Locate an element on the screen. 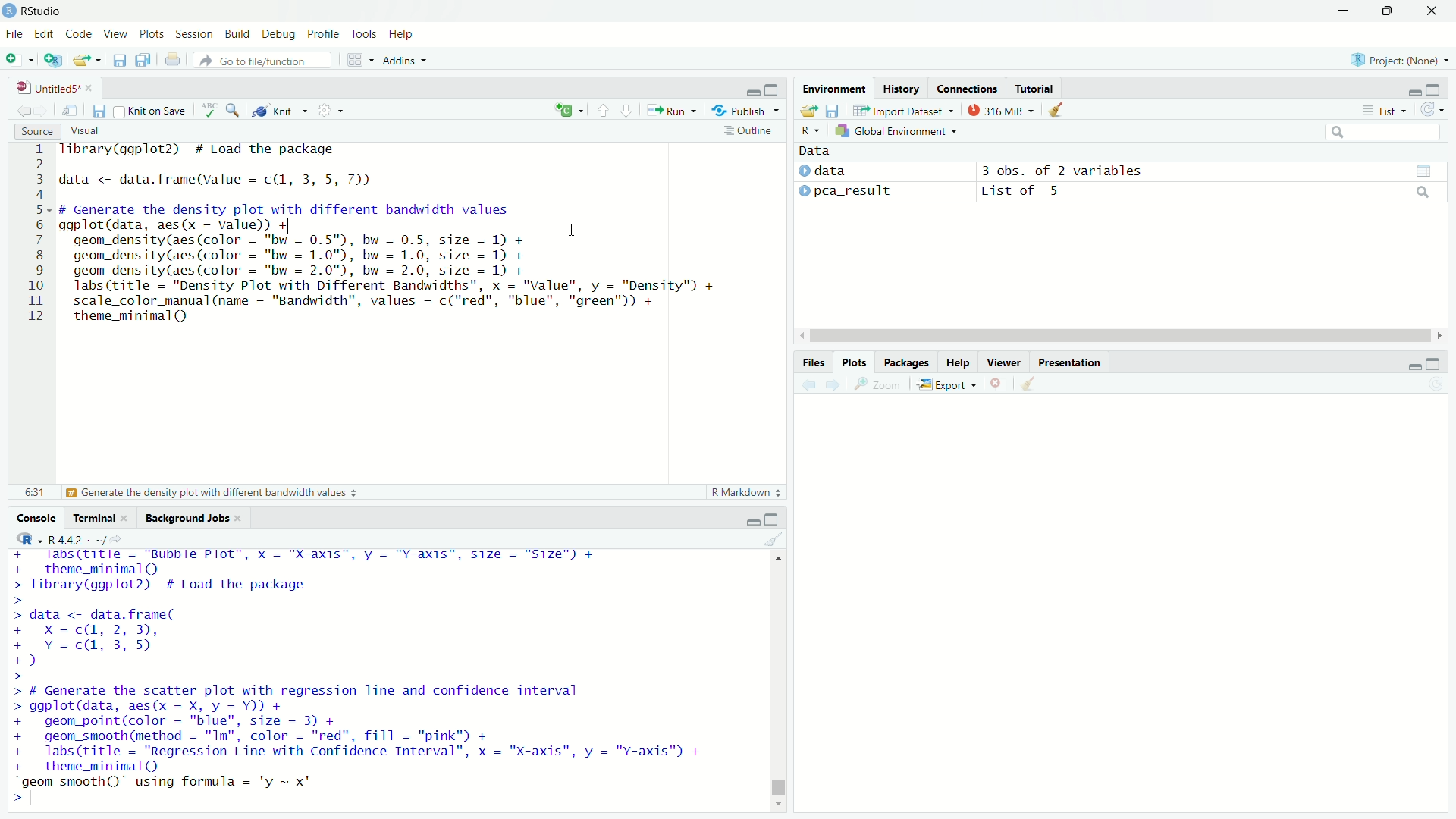 This screenshot has width=1456, height=819. New file is located at coordinates (20, 59).